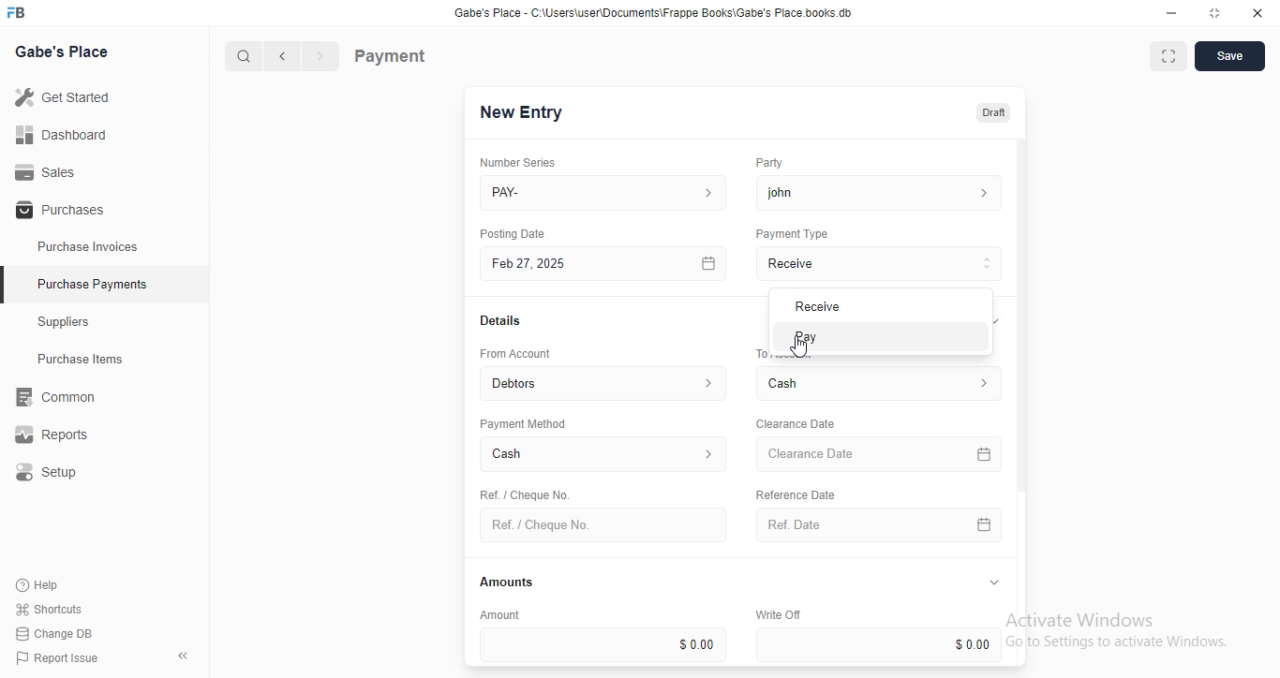 The height and width of the screenshot is (678, 1280). What do you see at coordinates (61, 135) in the screenshot?
I see `Dashboard` at bounding box center [61, 135].